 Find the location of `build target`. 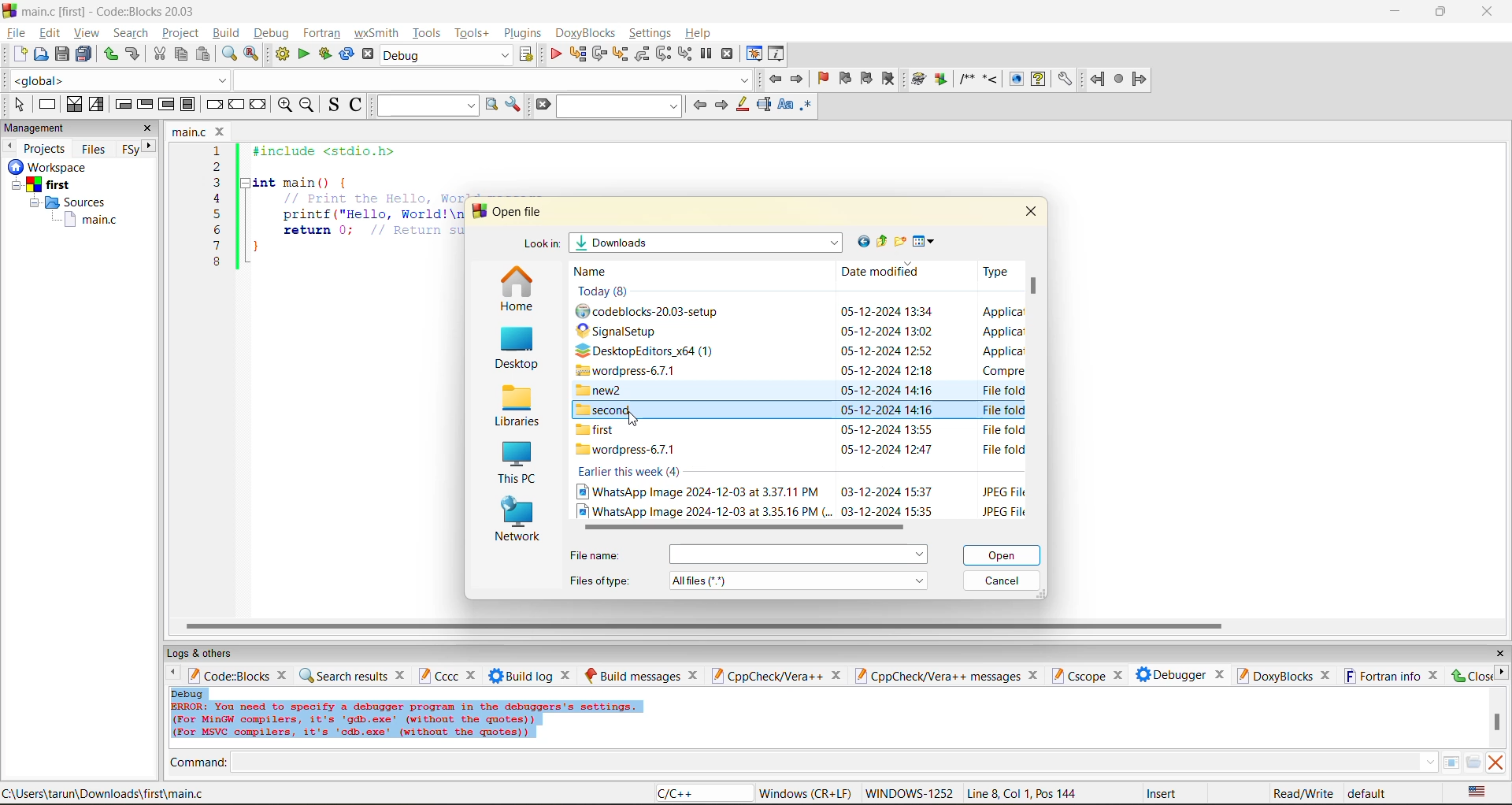

build target is located at coordinates (447, 54).